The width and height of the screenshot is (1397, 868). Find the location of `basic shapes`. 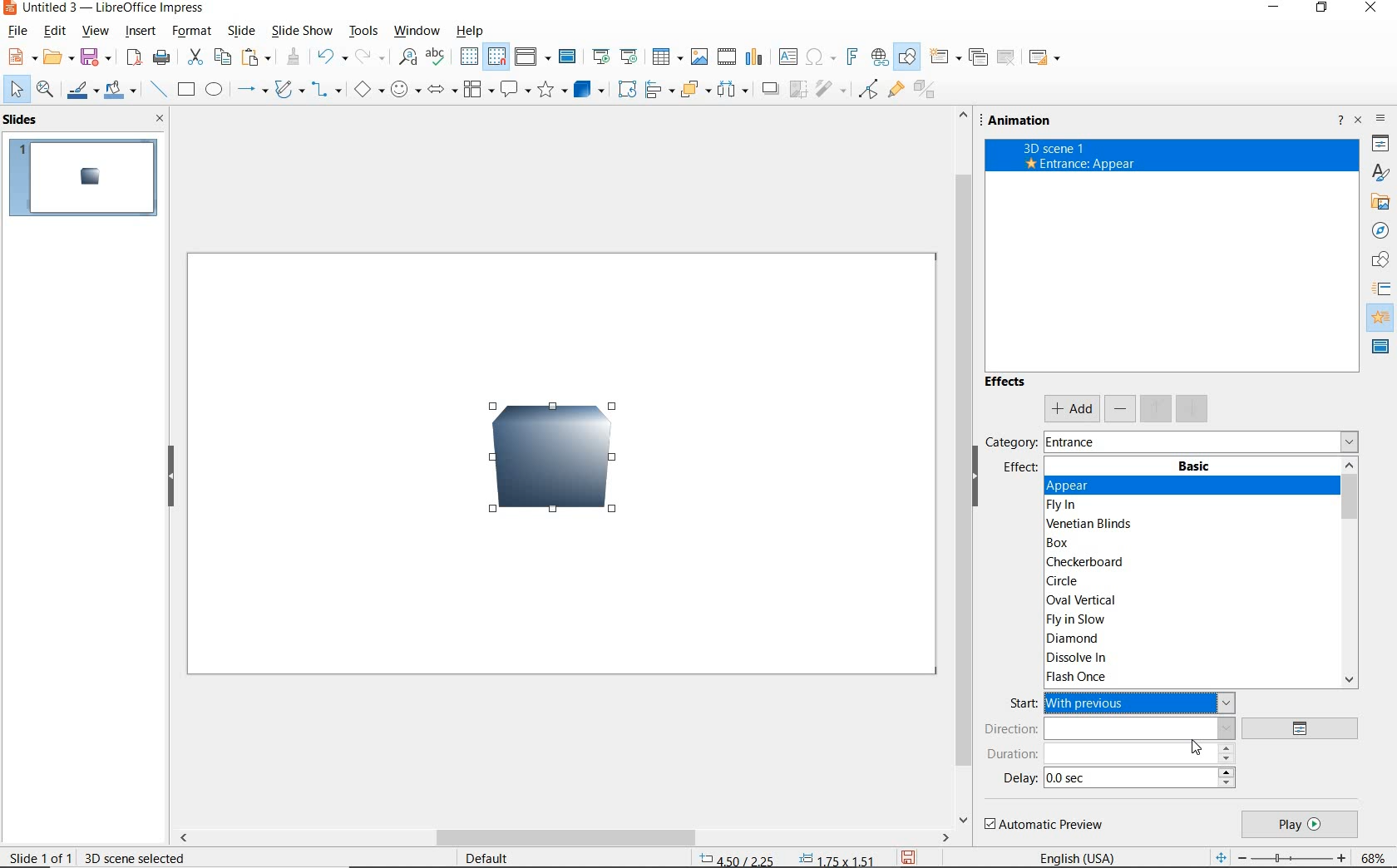

basic shapes is located at coordinates (367, 91).